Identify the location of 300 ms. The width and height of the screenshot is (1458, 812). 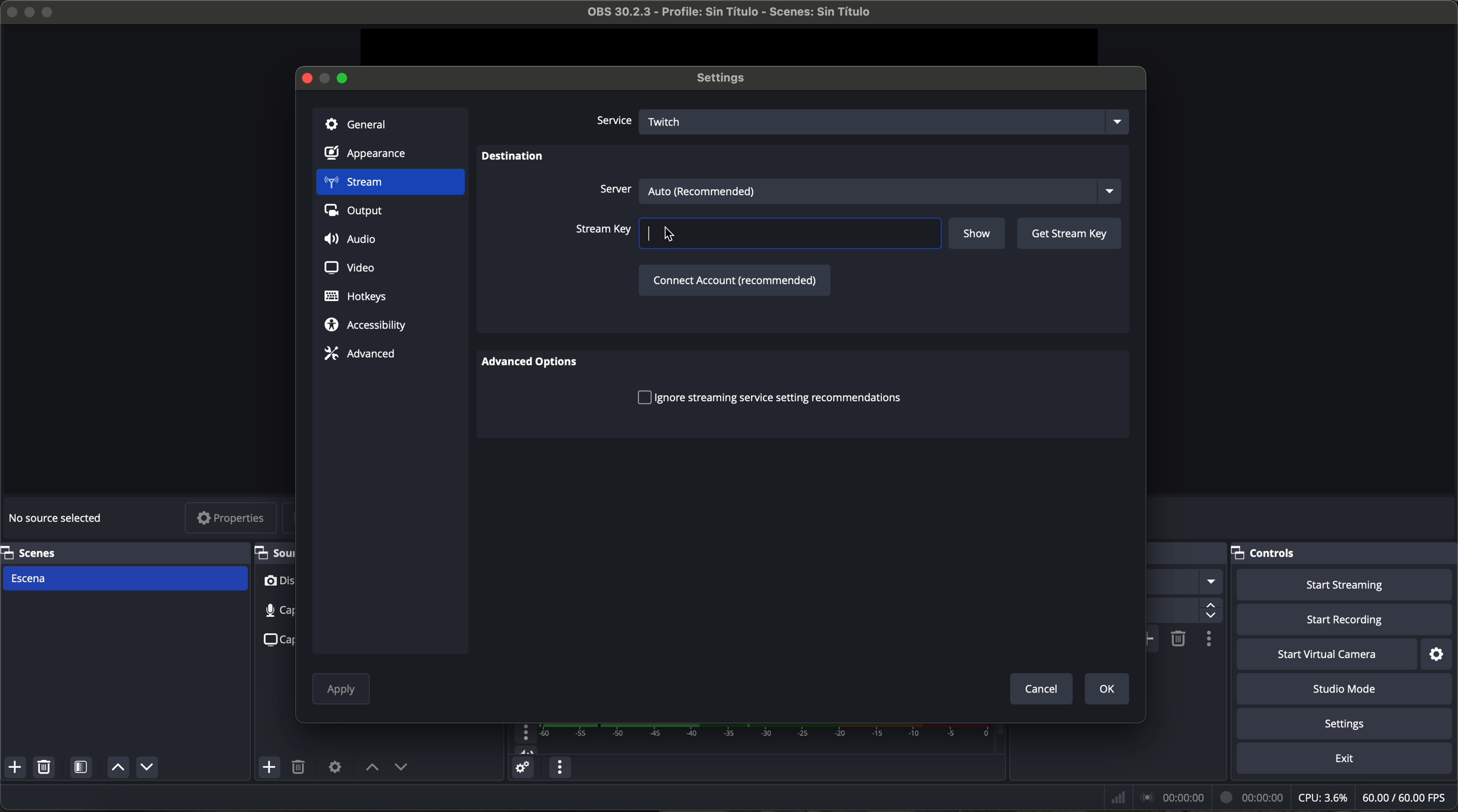
(1183, 611).